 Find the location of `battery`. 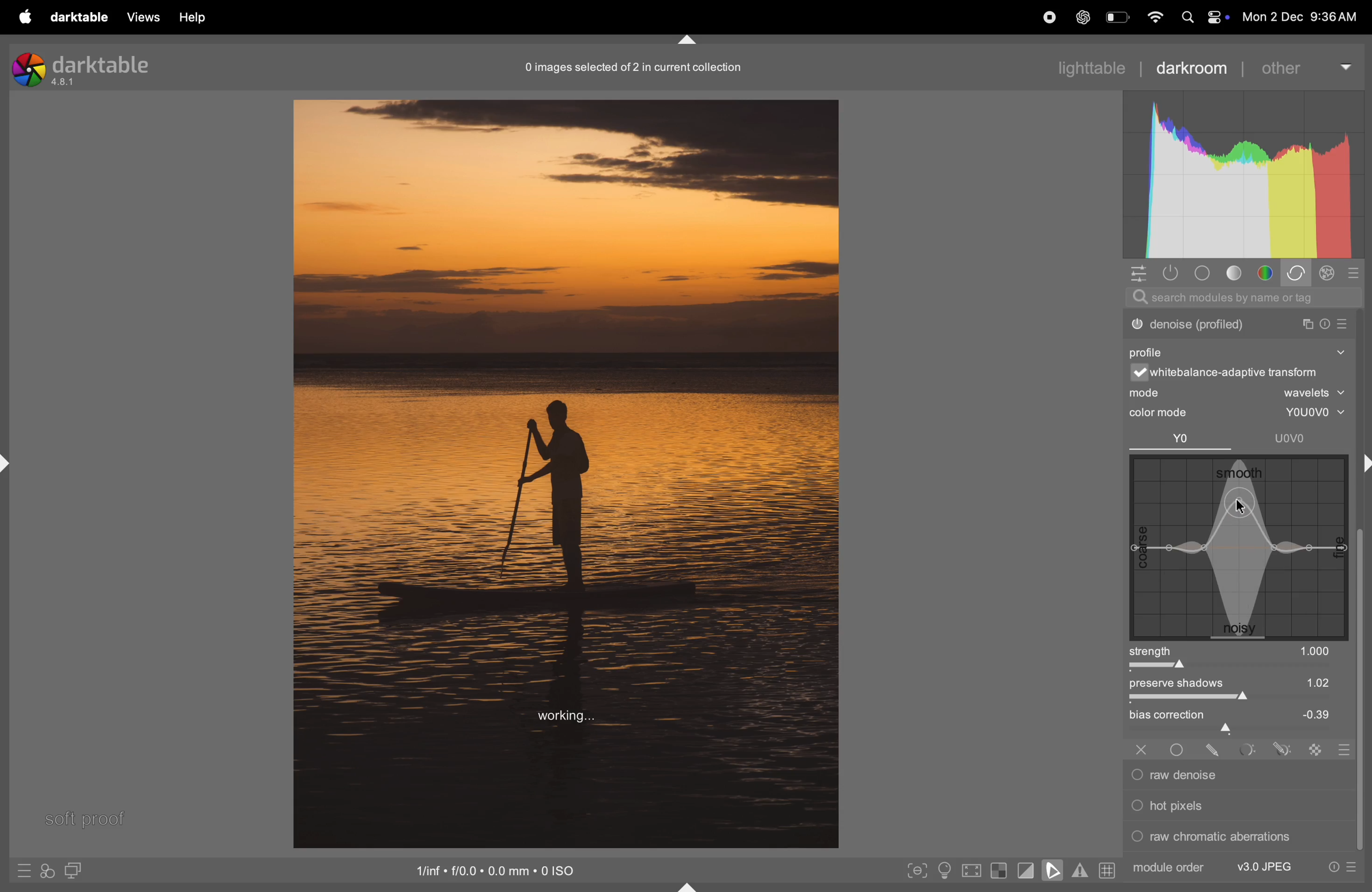

battery is located at coordinates (1117, 19).